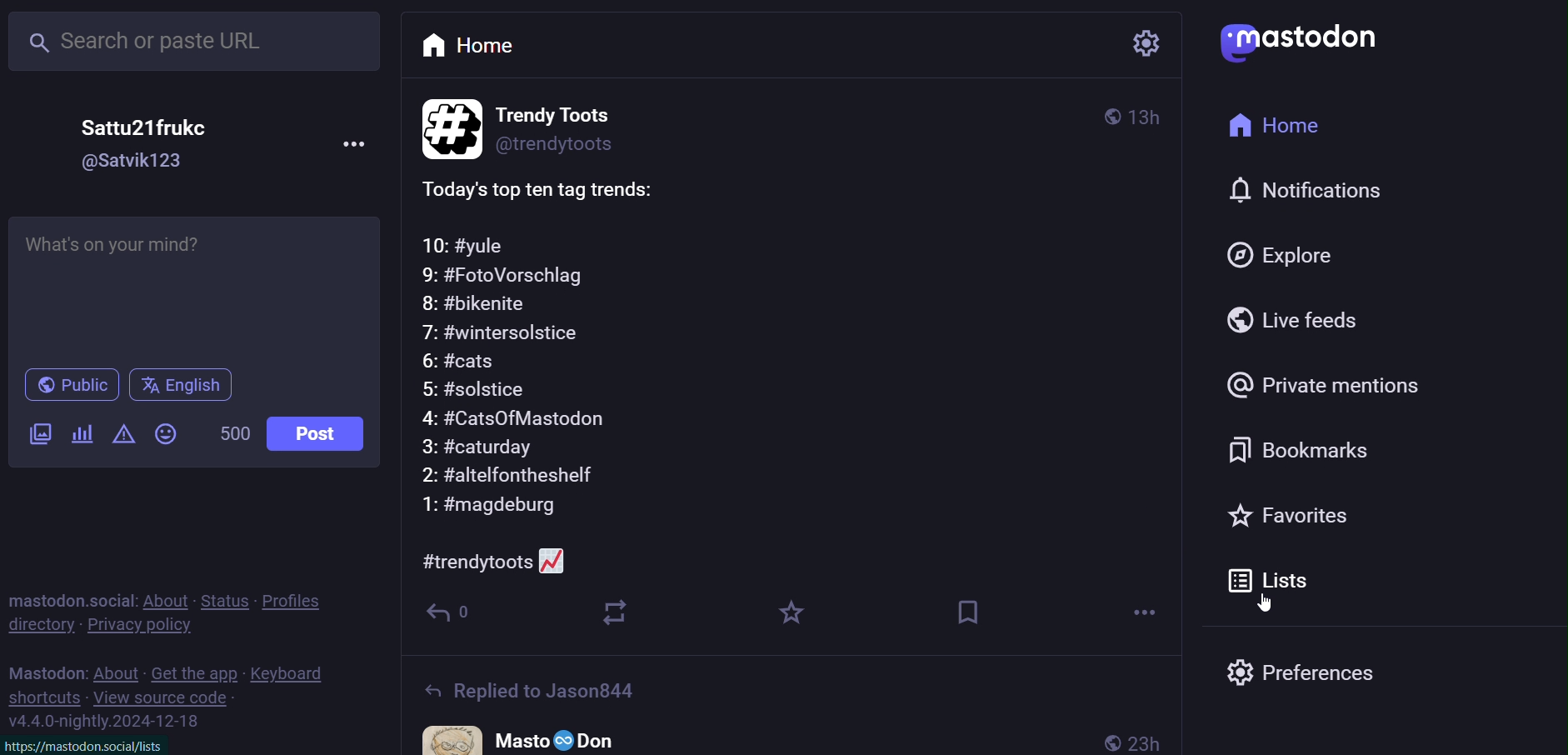 This screenshot has height=755, width=1568. Describe the element at coordinates (39, 623) in the screenshot. I see `directory` at that location.